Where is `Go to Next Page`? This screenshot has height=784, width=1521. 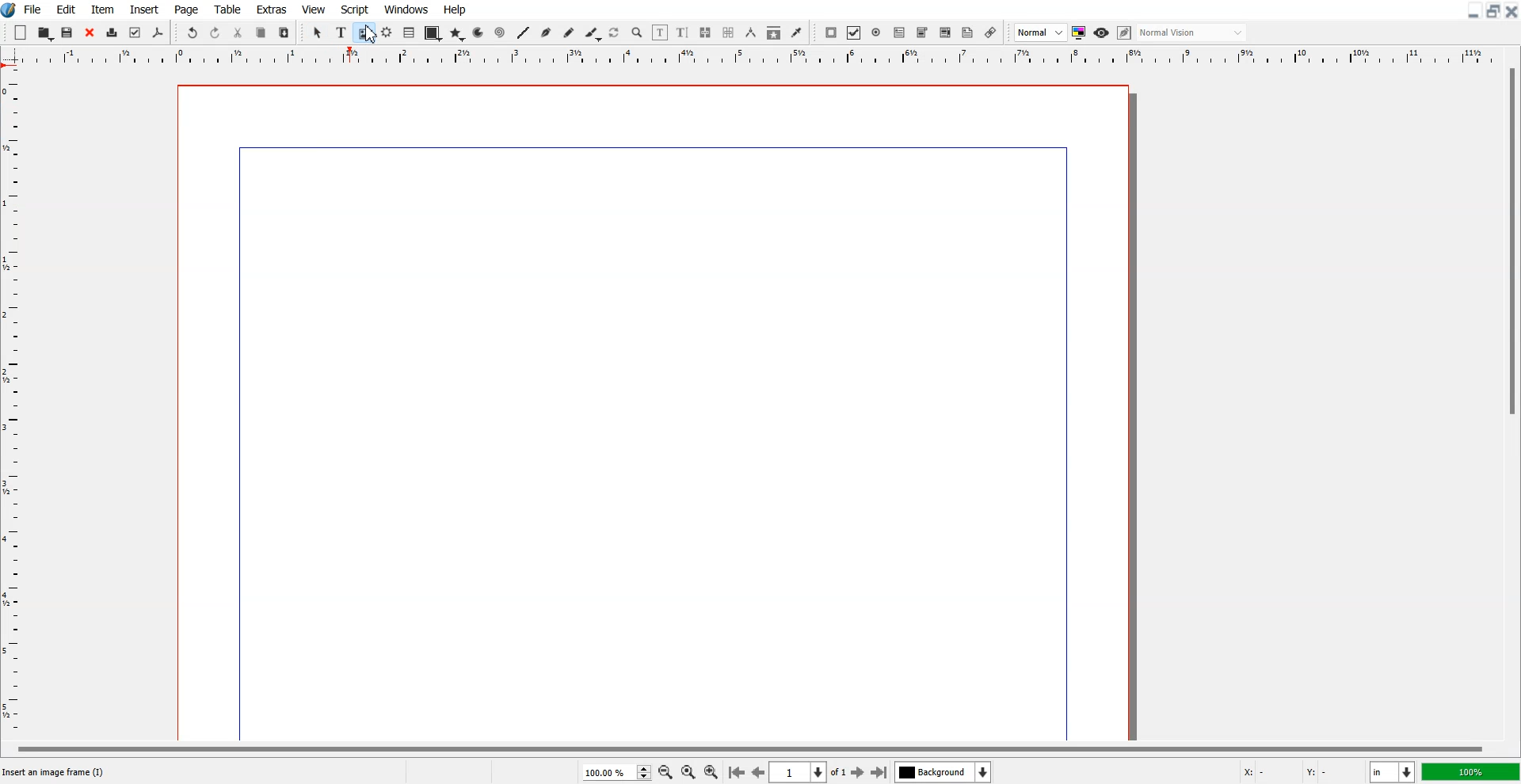 Go to Next Page is located at coordinates (860, 773).